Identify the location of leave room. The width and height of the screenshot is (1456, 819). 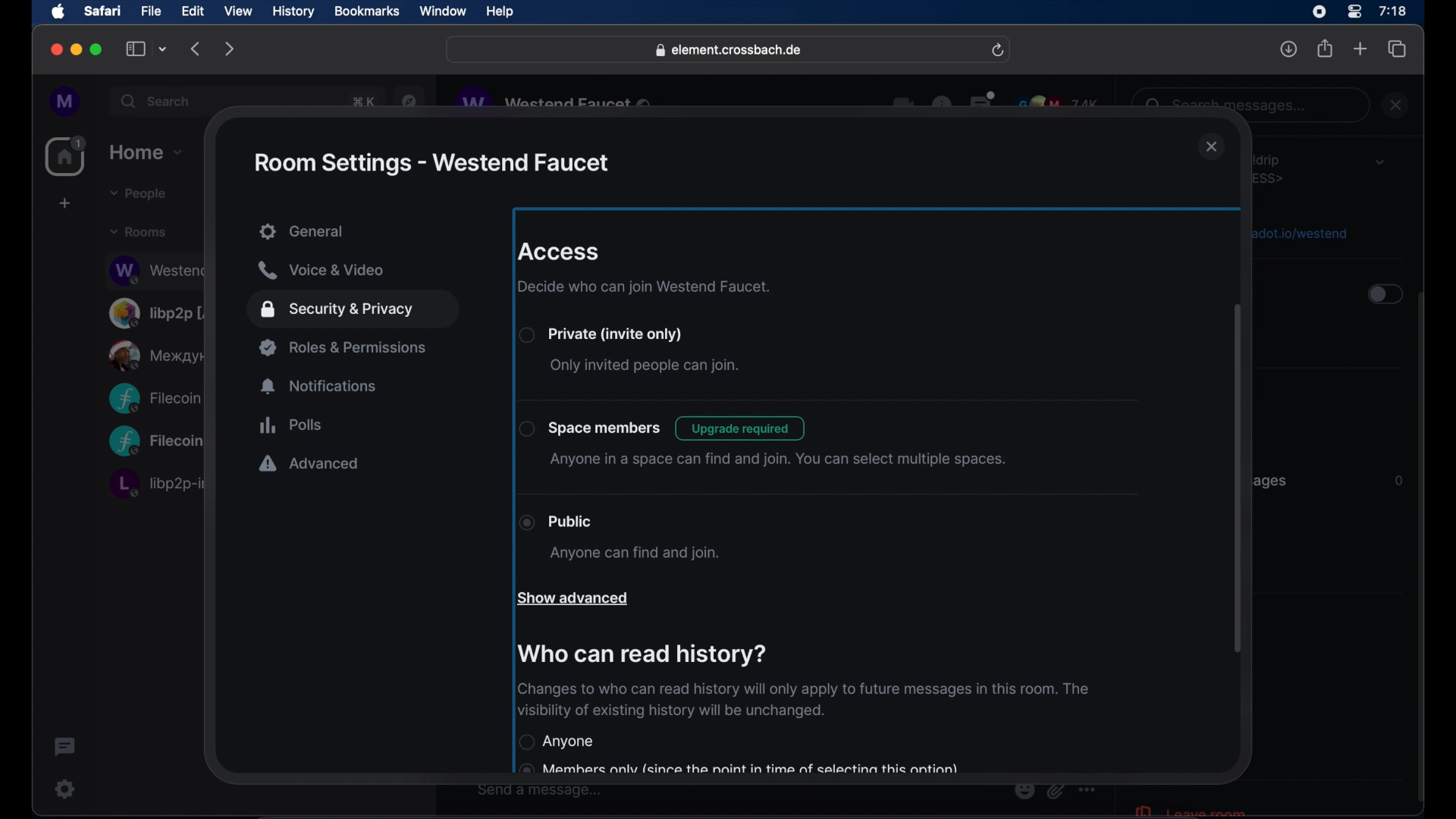
(1189, 809).